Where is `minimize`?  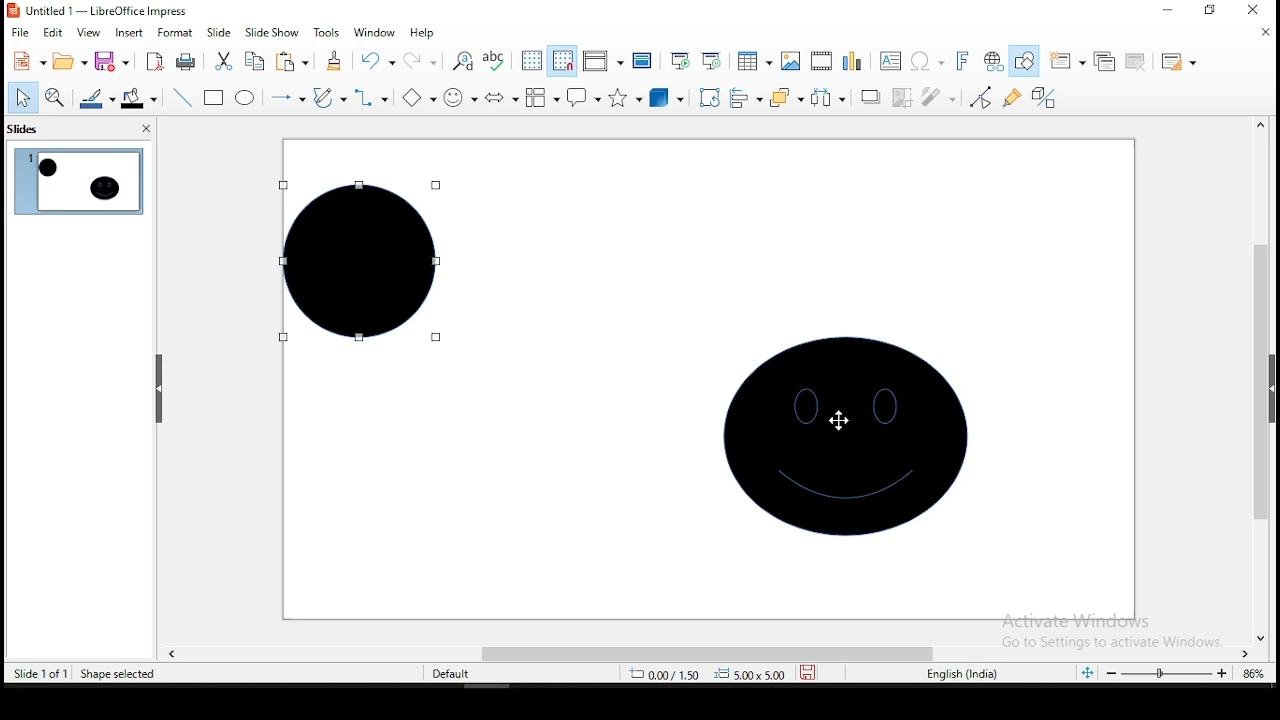 minimize is located at coordinates (1168, 10).